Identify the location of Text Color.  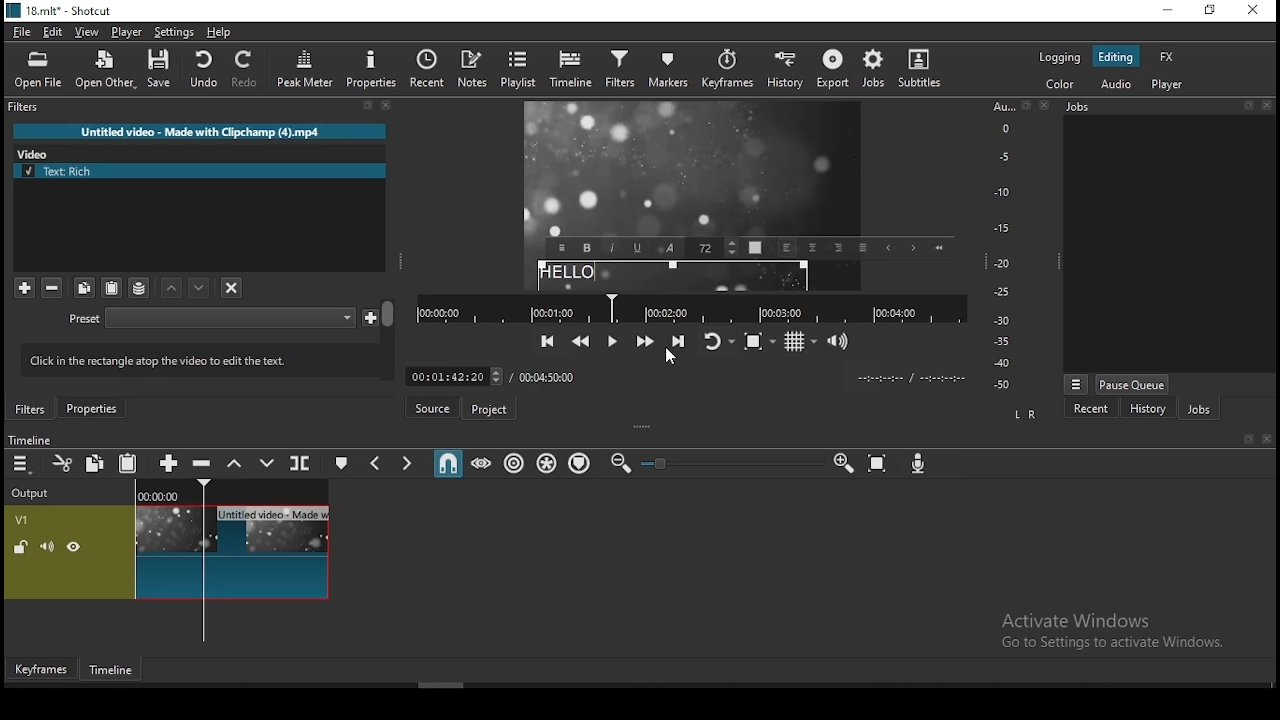
(755, 247).